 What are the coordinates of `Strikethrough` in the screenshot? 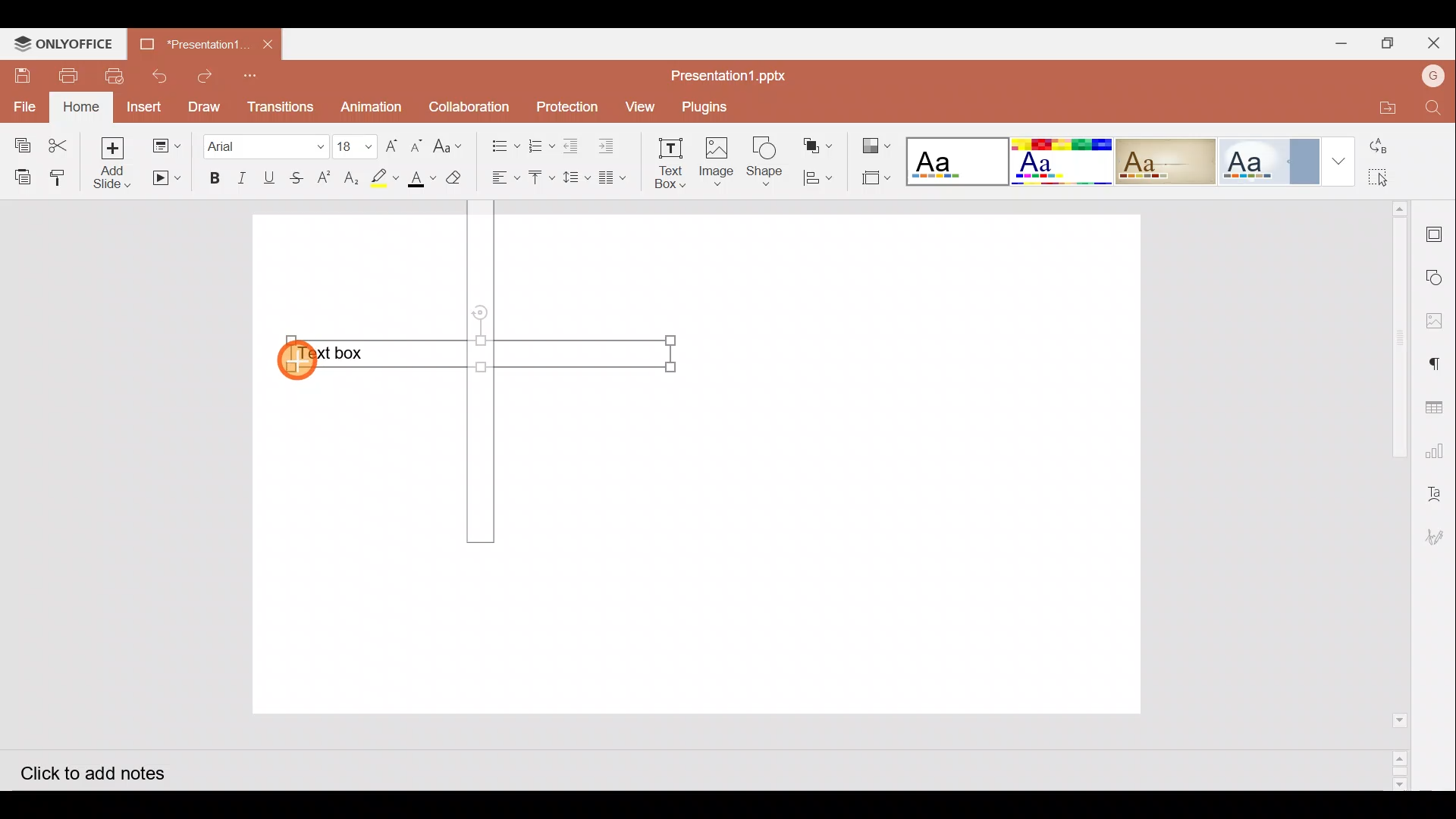 It's located at (294, 177).